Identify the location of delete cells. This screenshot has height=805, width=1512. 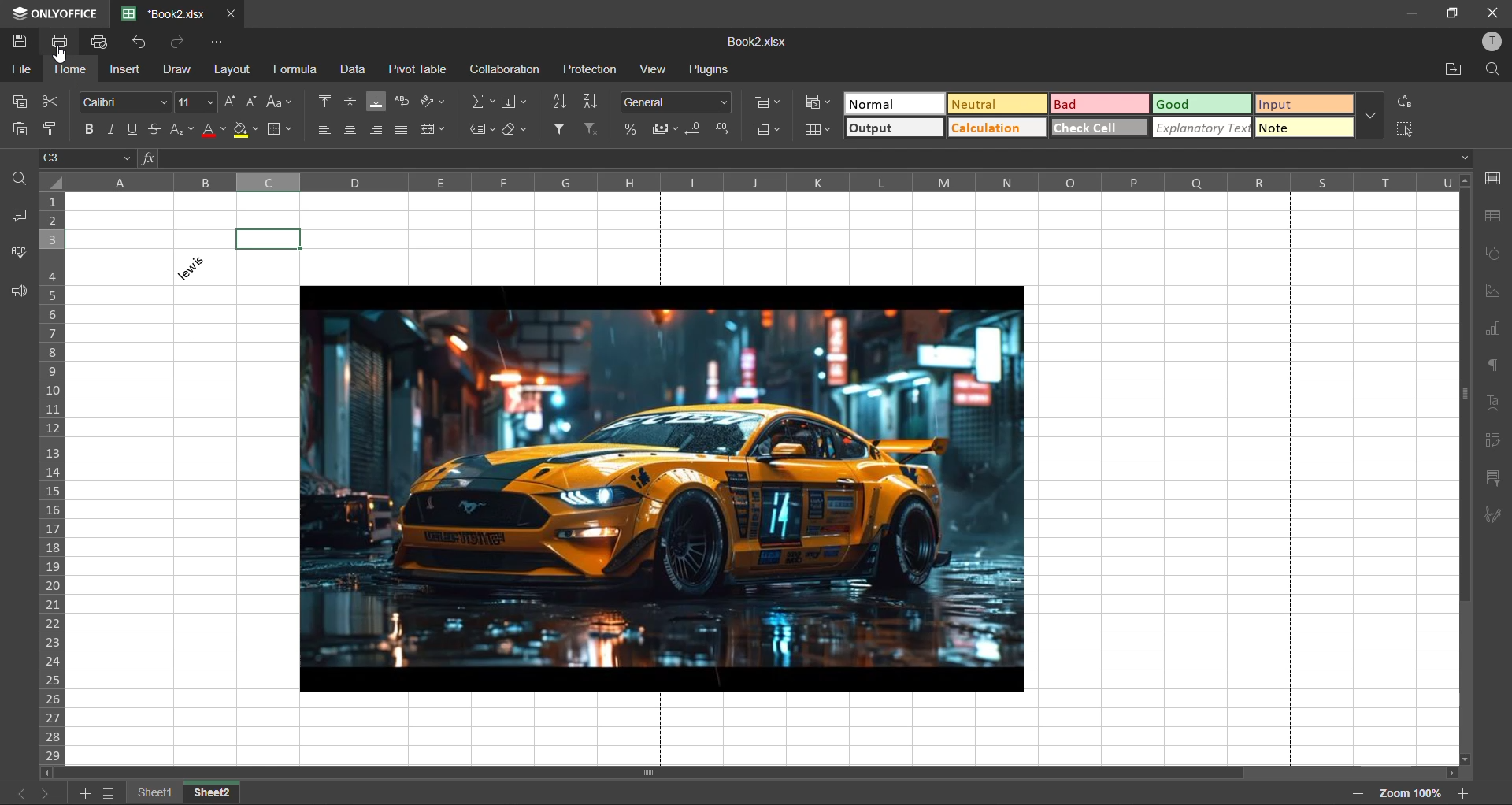
(769, 129).